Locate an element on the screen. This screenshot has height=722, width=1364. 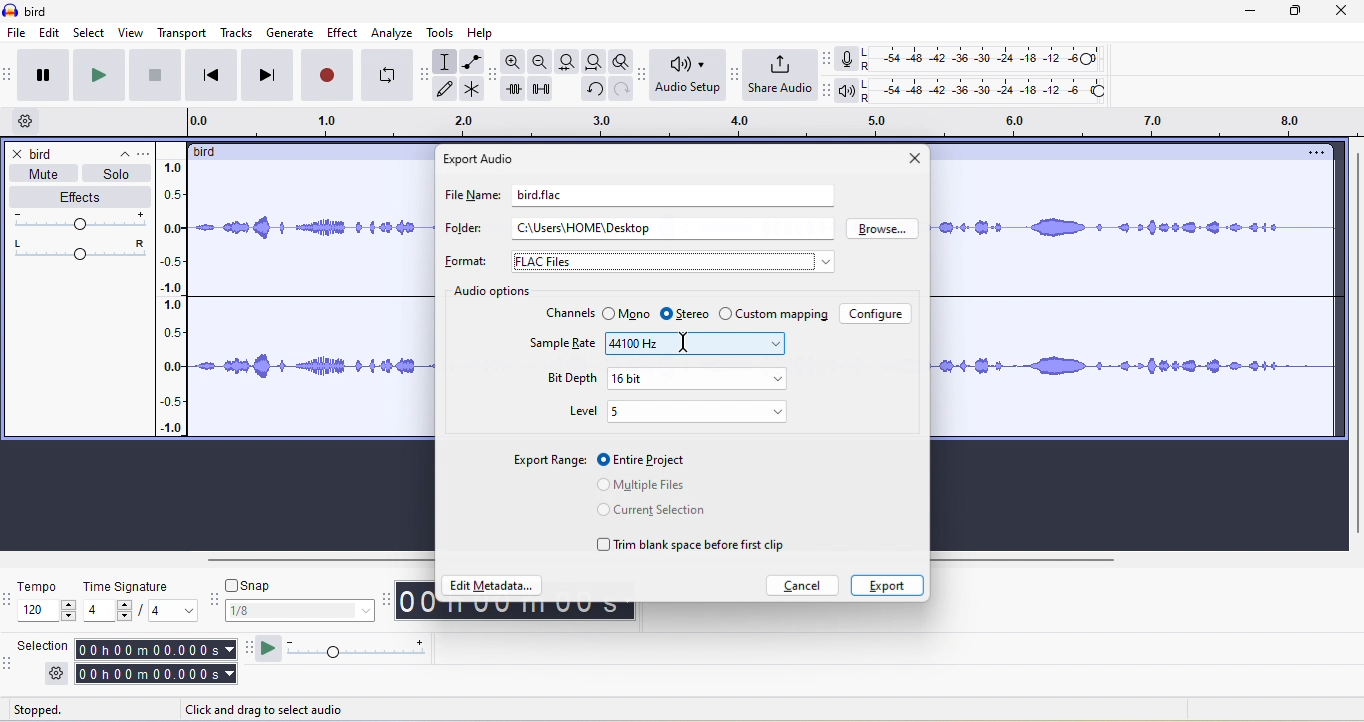
selection is located at coordinates (155, 663).